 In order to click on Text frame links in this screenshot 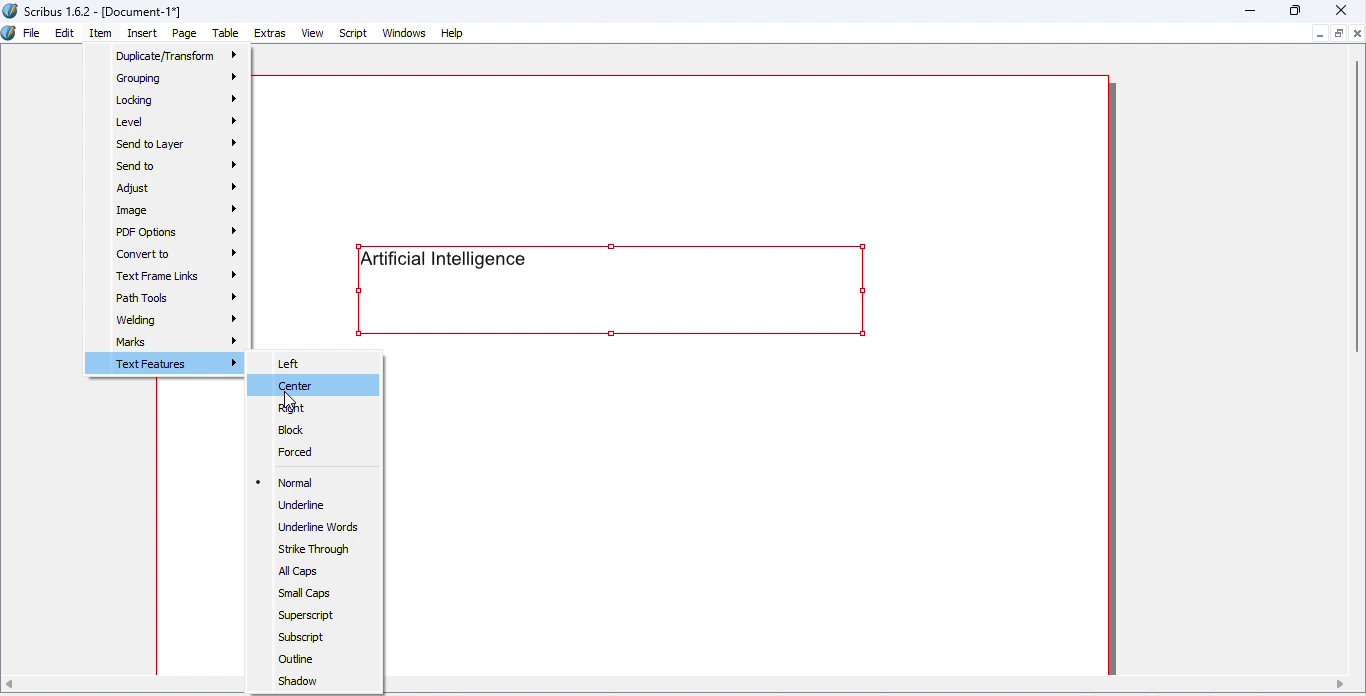, I will do `click(181, 277)`.